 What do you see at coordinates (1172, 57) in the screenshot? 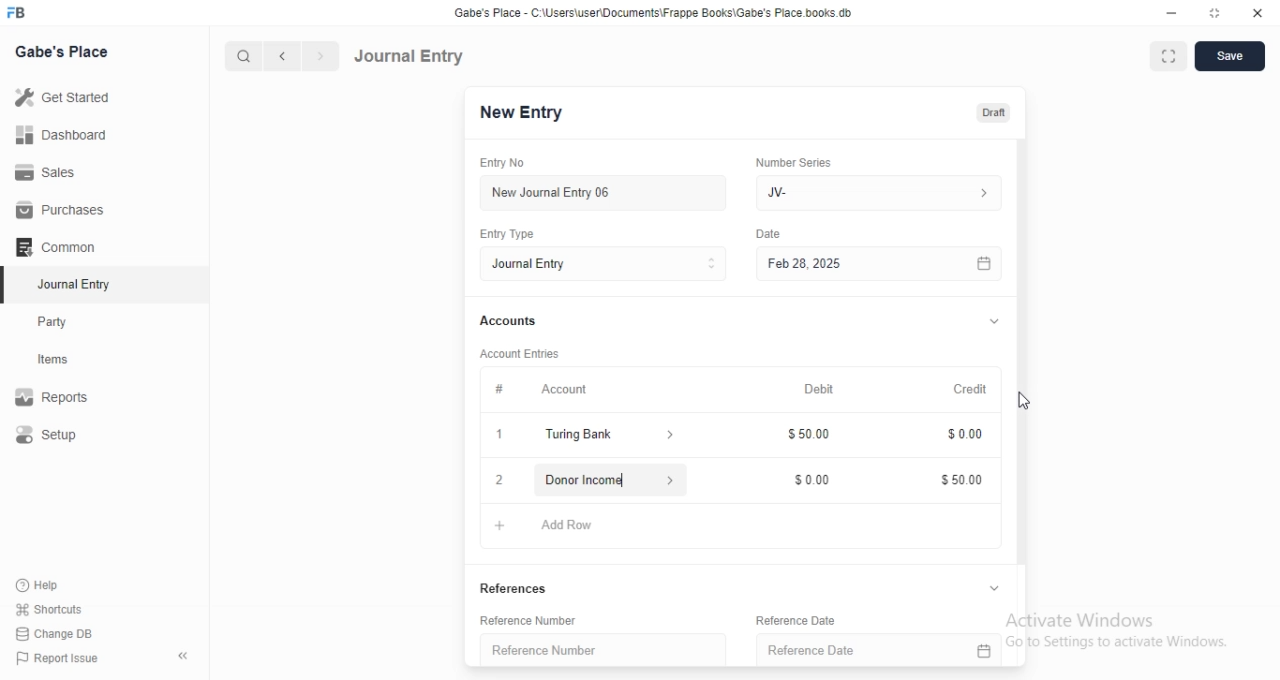
I see `full screen` at bounding box center [1172, 57].